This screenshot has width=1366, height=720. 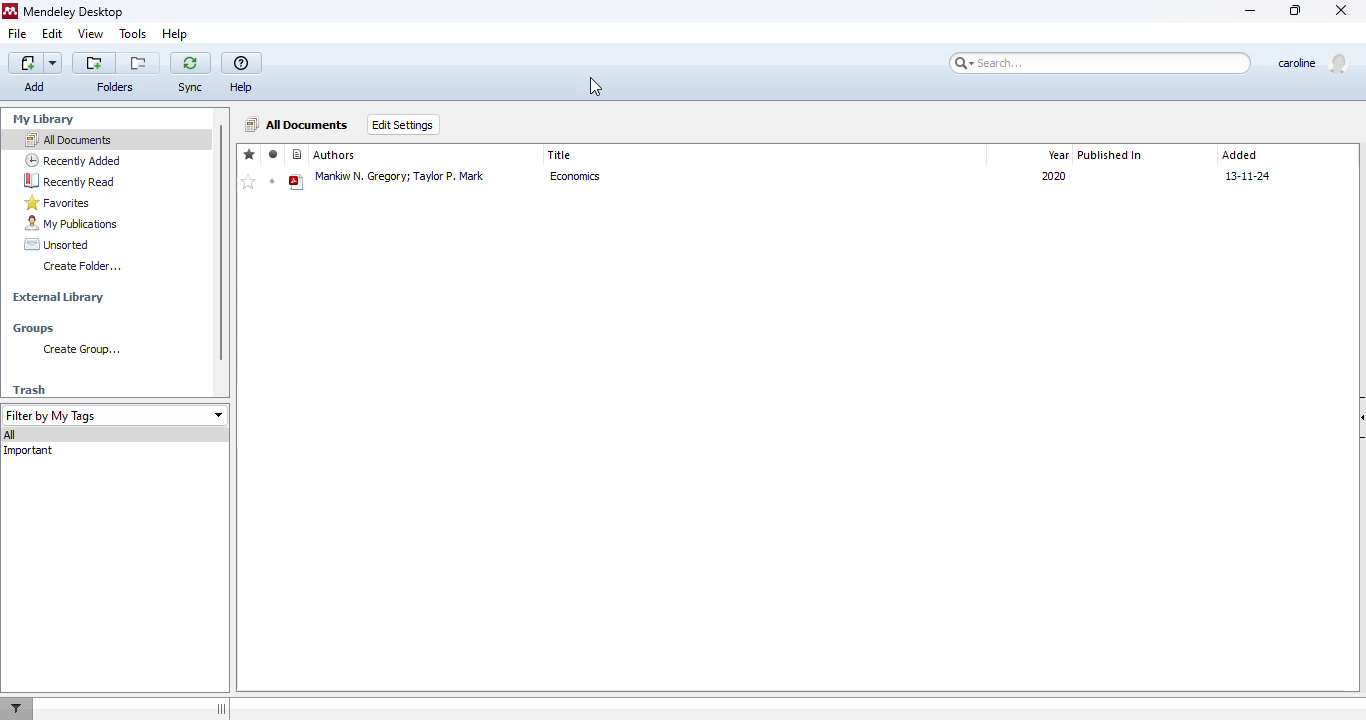 I want to click on help, so click(x=175, y=33).